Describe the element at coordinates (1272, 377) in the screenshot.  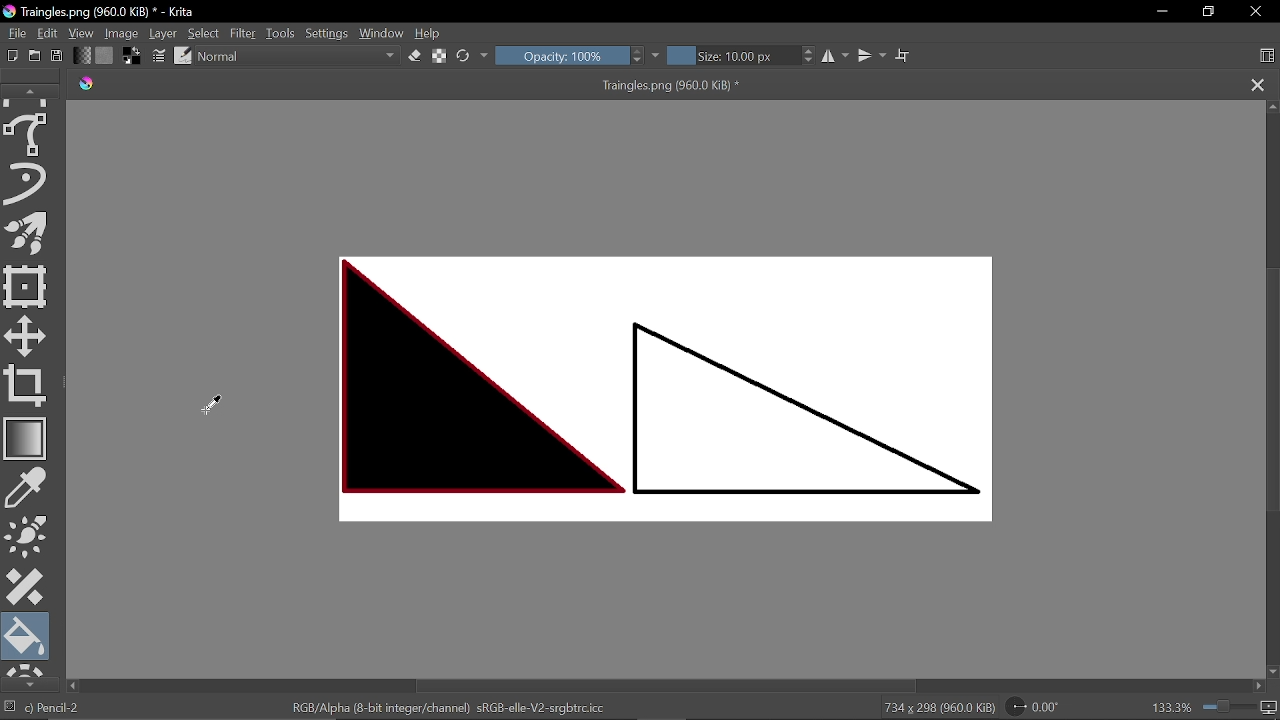
I see `vertical scroll bar` at that location.